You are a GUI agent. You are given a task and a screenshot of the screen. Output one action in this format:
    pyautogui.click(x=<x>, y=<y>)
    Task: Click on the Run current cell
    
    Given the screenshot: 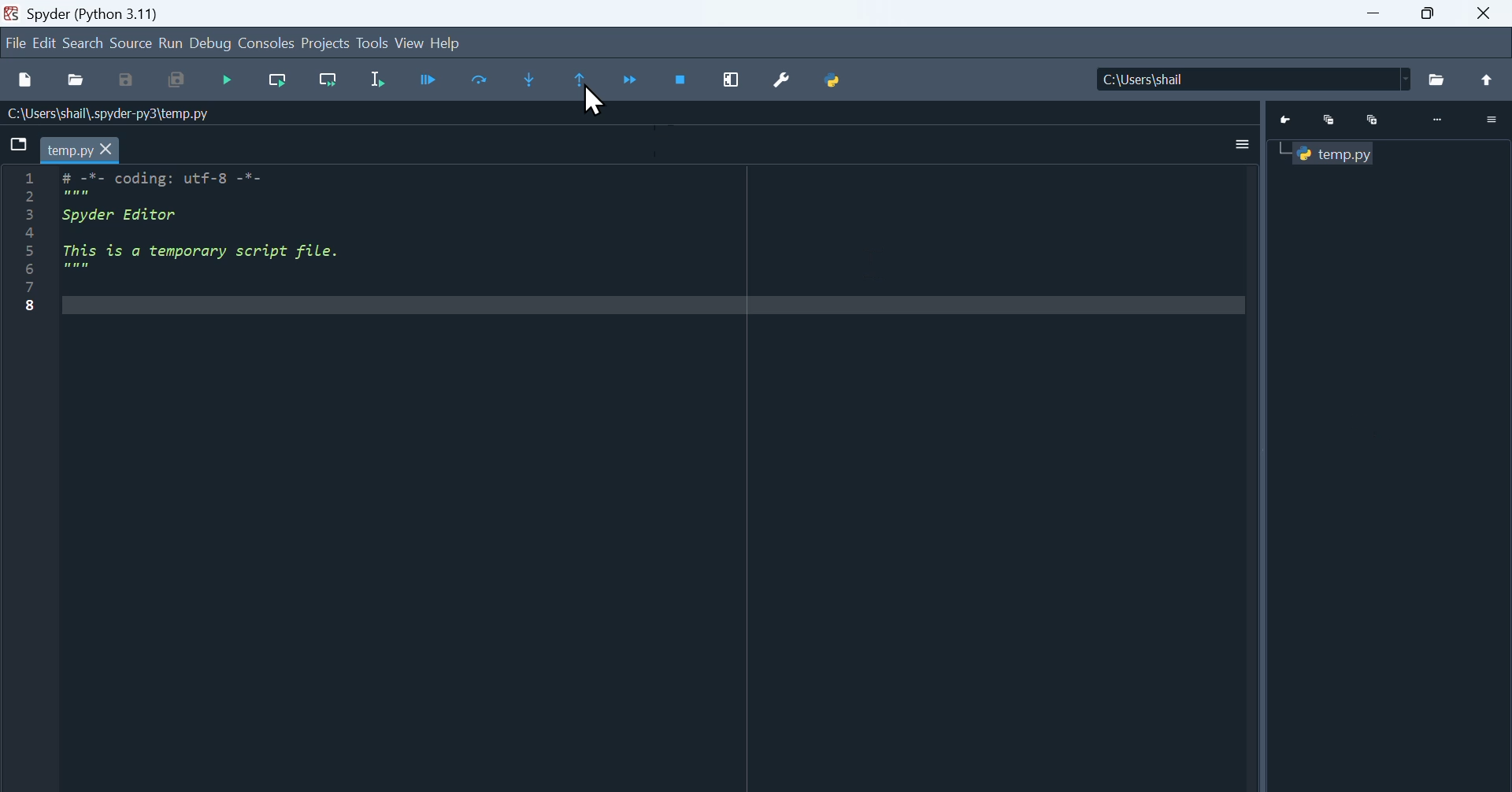 What is the action you would take?
    pyautogui.click(x=278, y=80)
    